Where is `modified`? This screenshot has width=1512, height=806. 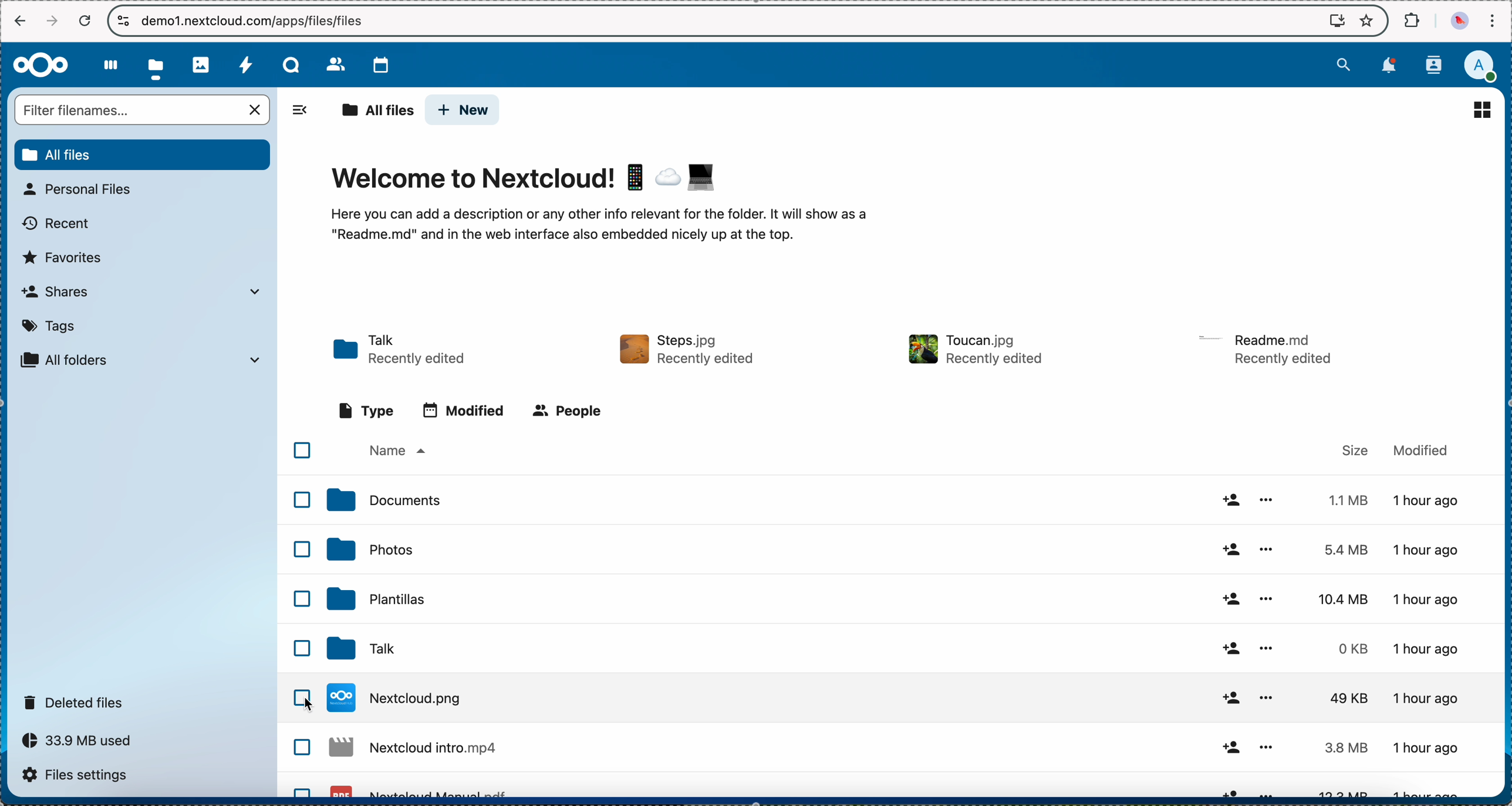 modified is located at coordinates (1423, 449).